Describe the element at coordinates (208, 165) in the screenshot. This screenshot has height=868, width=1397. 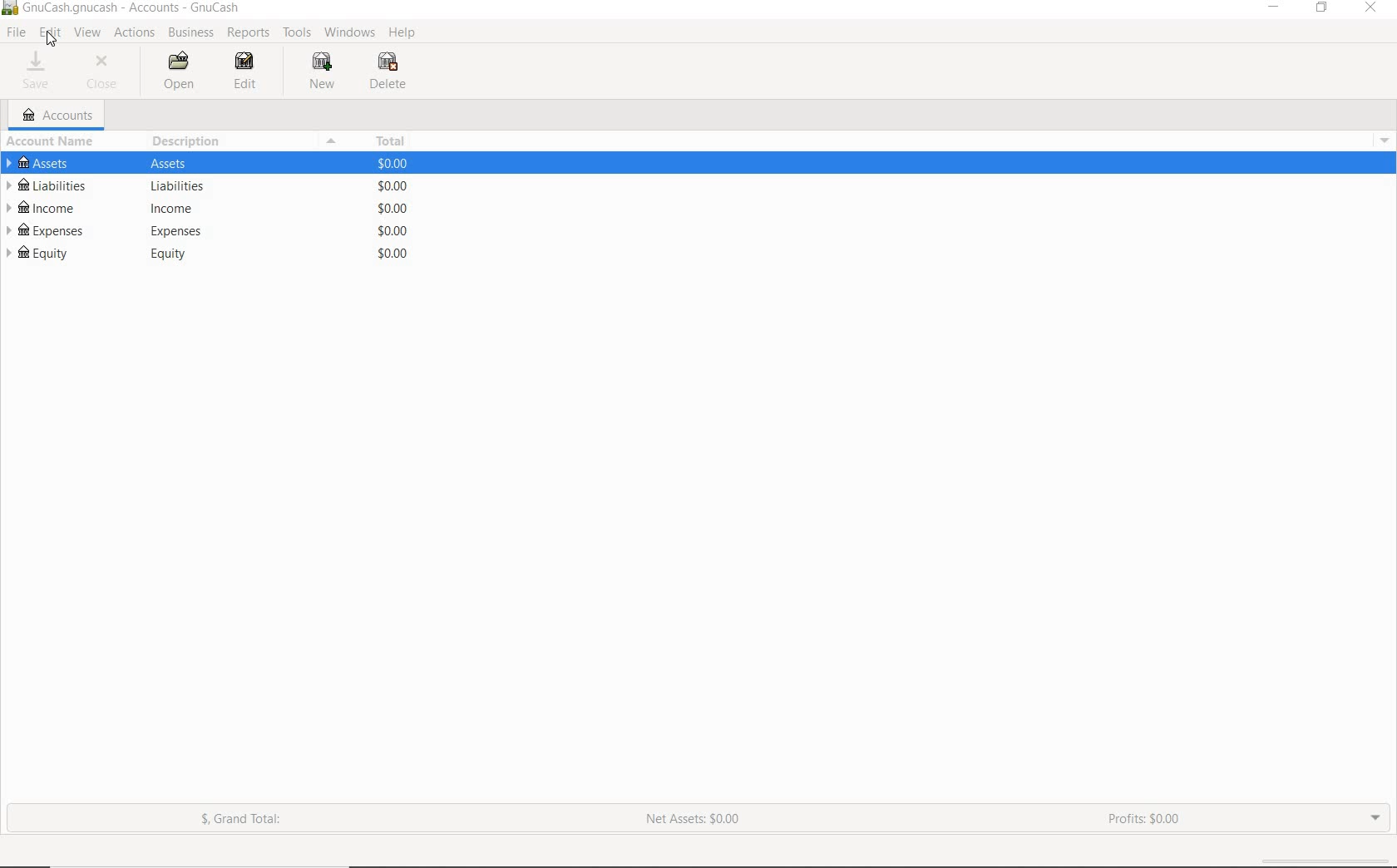
I see `ASSETS` at that location.